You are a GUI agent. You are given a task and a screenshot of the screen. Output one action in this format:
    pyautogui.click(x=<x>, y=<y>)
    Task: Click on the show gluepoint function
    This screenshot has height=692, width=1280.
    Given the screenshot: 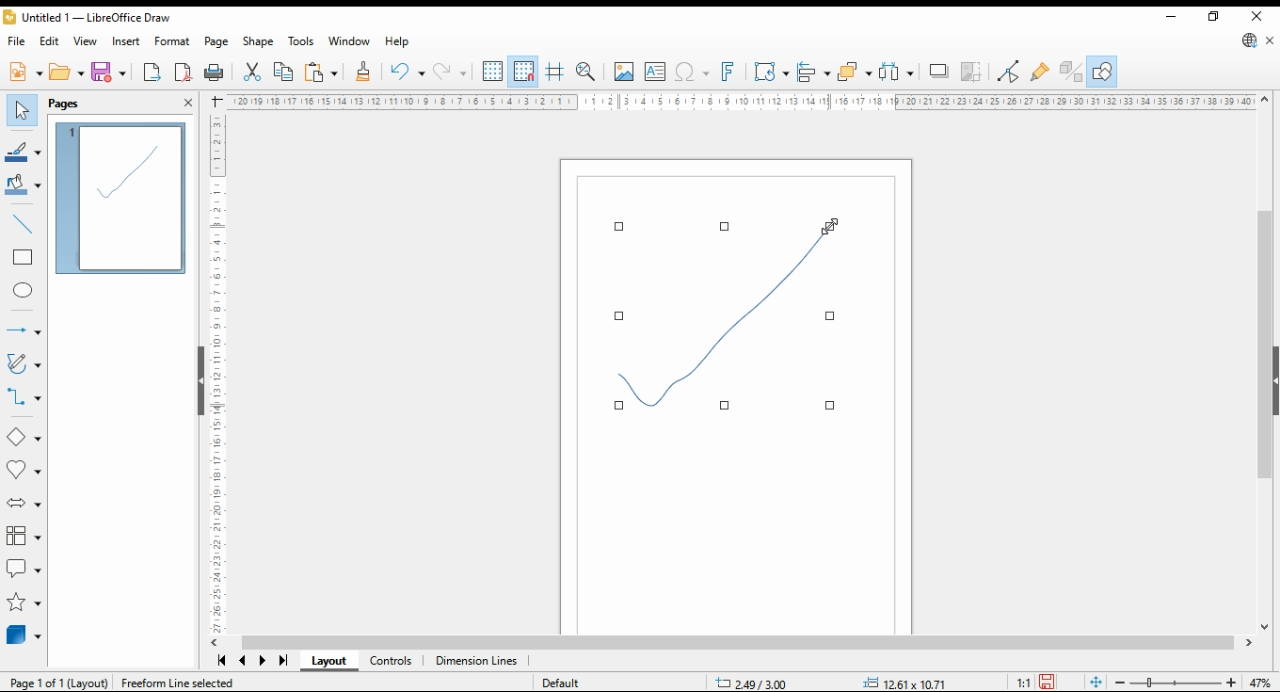 What is the action you would take?
    pyautogui.click(x=1041, y=72)
    